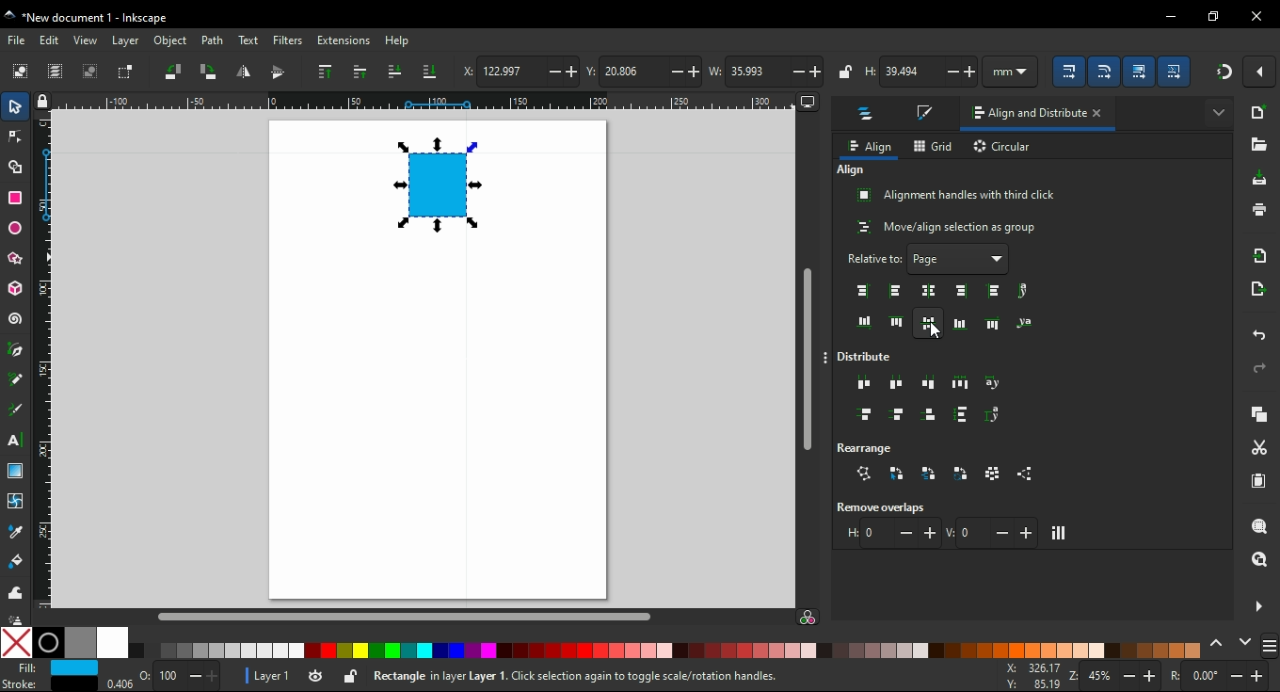  Describe the element at coordinates (931, 290) in the screenshot. I see `center on vertical axis` at that location.